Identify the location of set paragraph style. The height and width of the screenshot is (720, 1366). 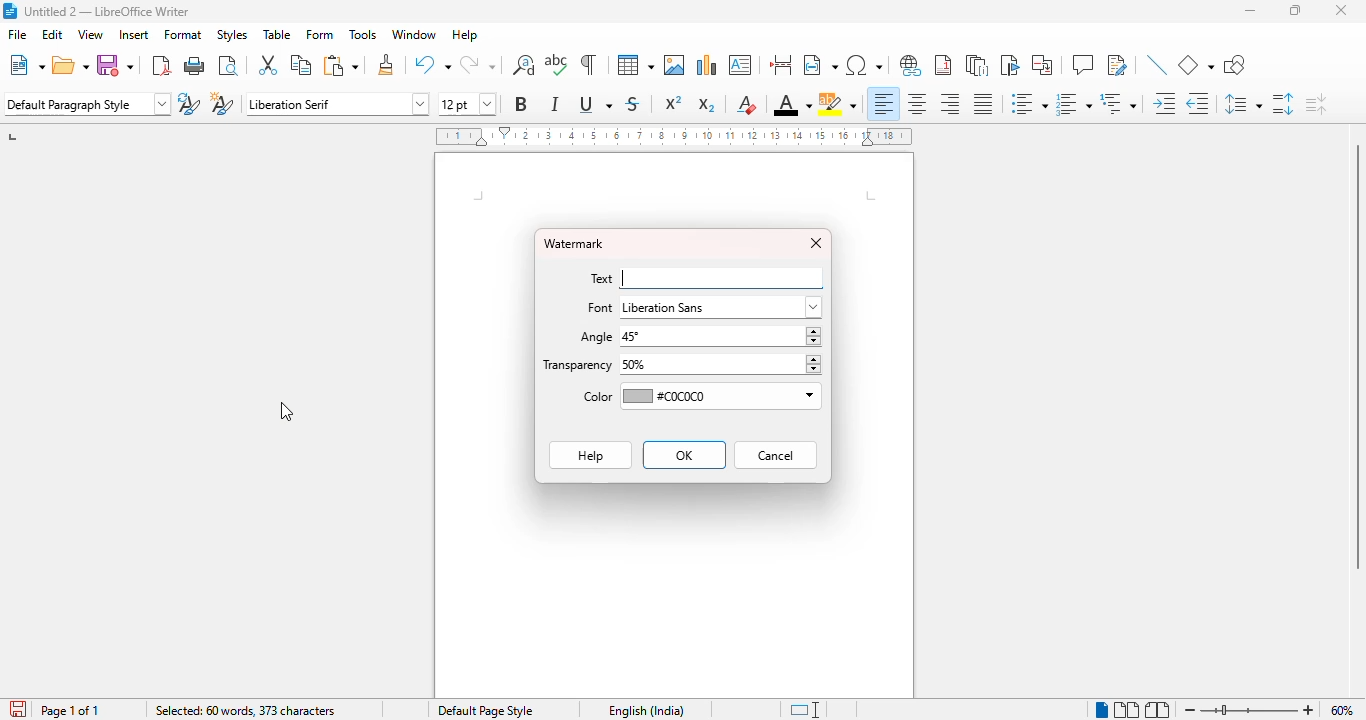
(87, 104).